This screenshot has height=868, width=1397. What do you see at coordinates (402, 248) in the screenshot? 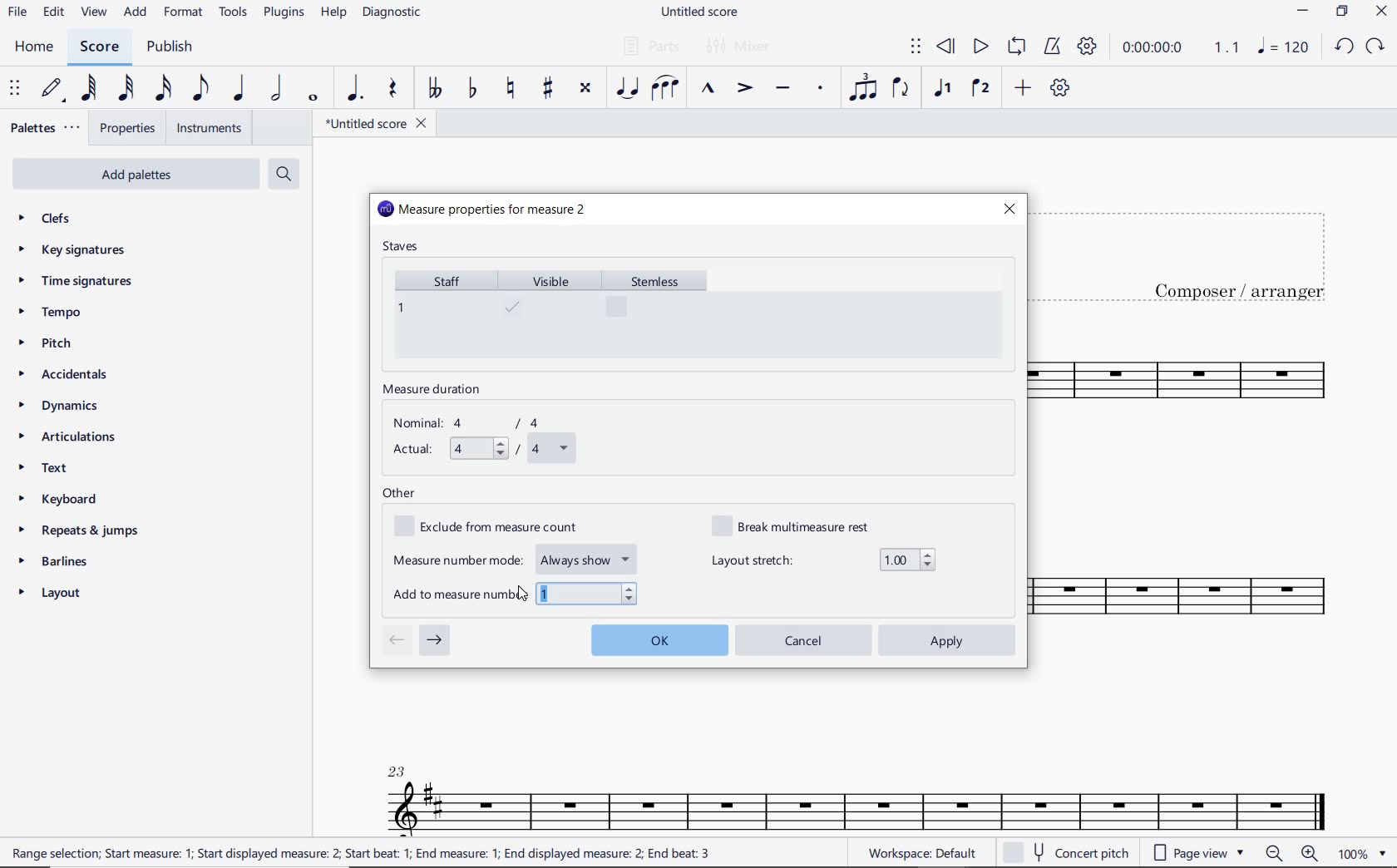
I see `staves` at bounding box center [402, 248].